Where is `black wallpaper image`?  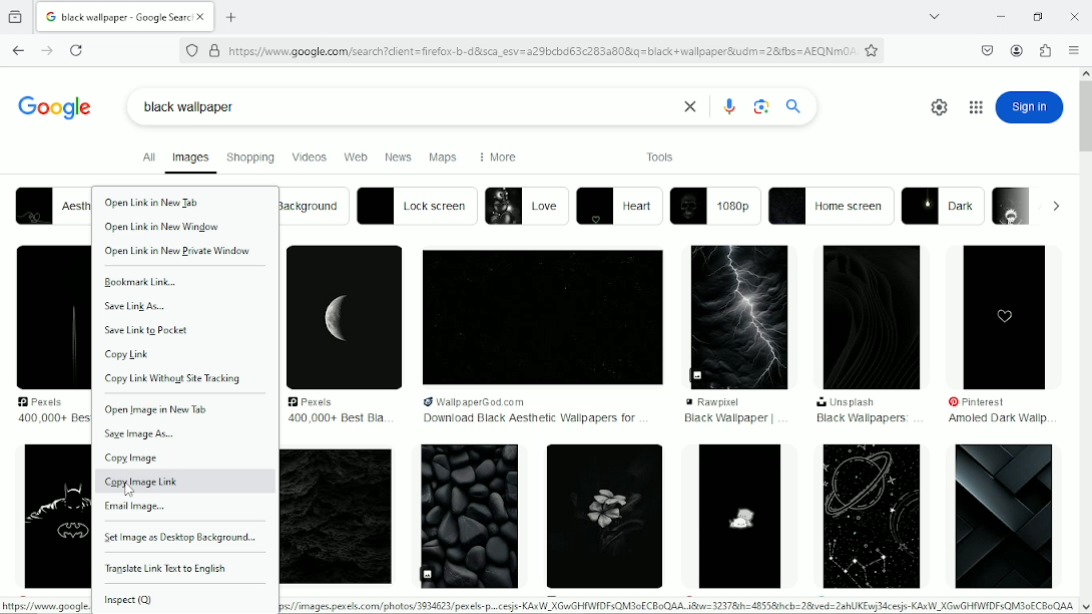
black wallpaper image is located at coordinates (868, 515).